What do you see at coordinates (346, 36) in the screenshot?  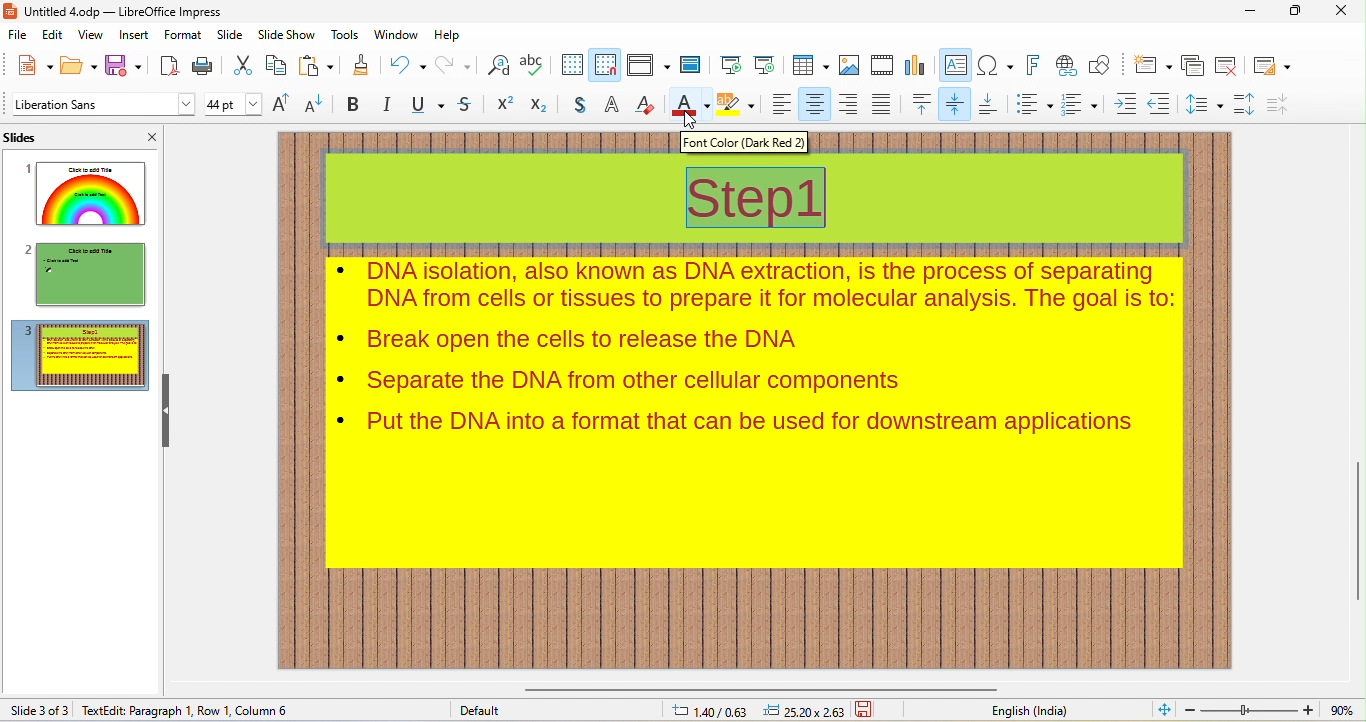 I see `tools` at bounding box center [346, 36].